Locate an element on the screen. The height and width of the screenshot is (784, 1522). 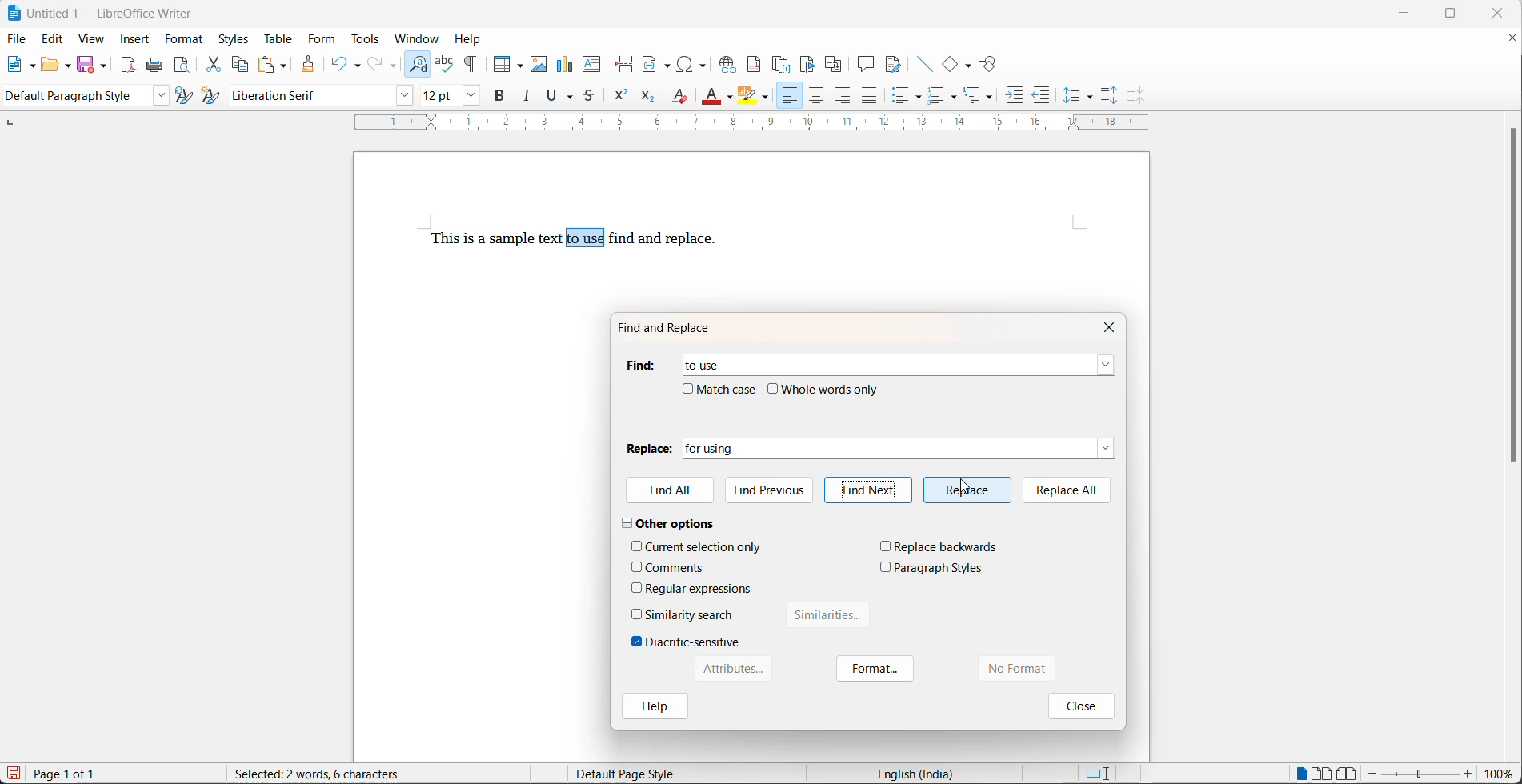
minimize is located at coordinates (1412, 12).